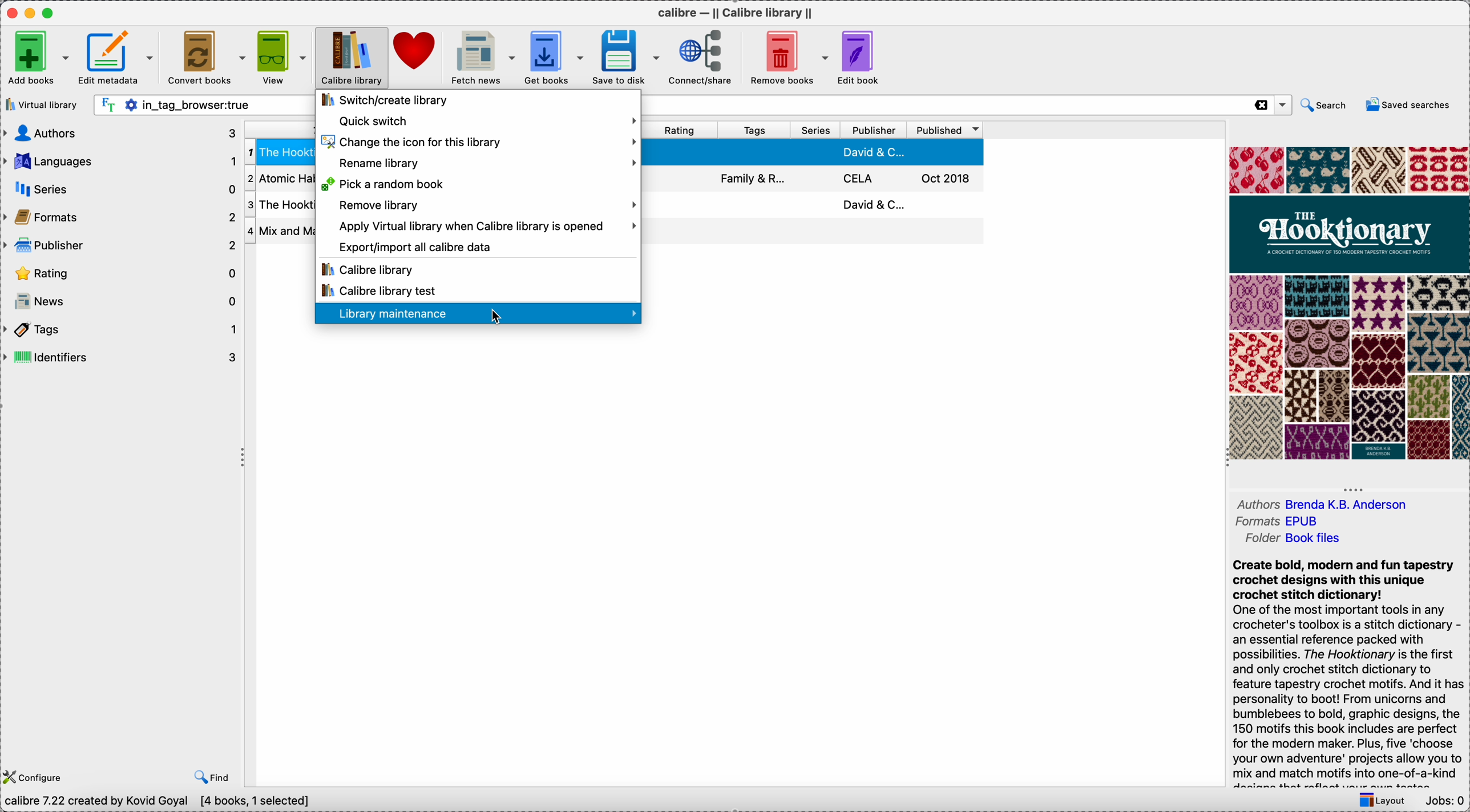 The width and height of the screenshot is (1470, 812). What do you see at coordinates (819, 233) in the screenshot?
I see `four book` at bounding box center [819, 233].